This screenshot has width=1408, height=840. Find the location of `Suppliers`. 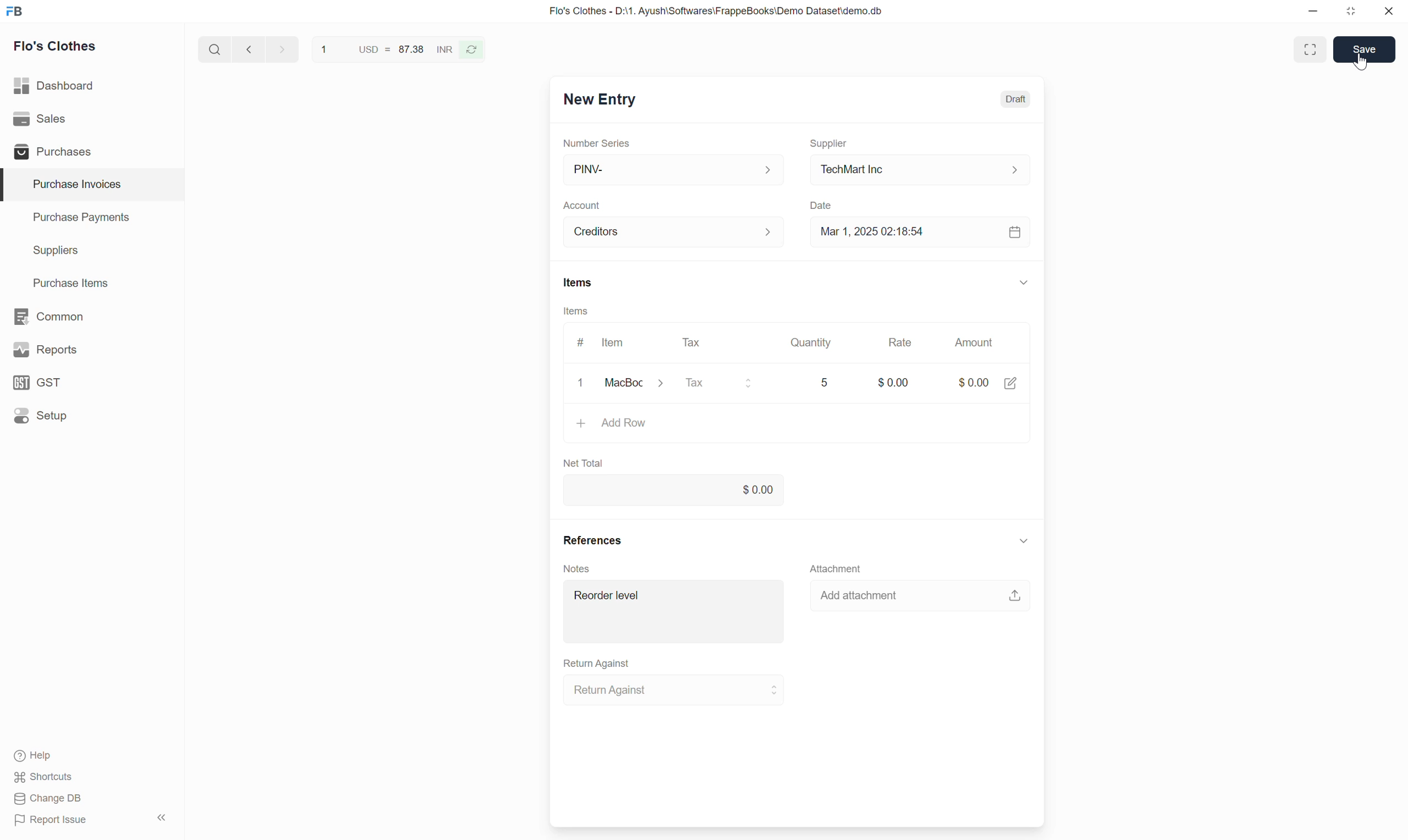

Suppliers is located at coordinates (92, 251).